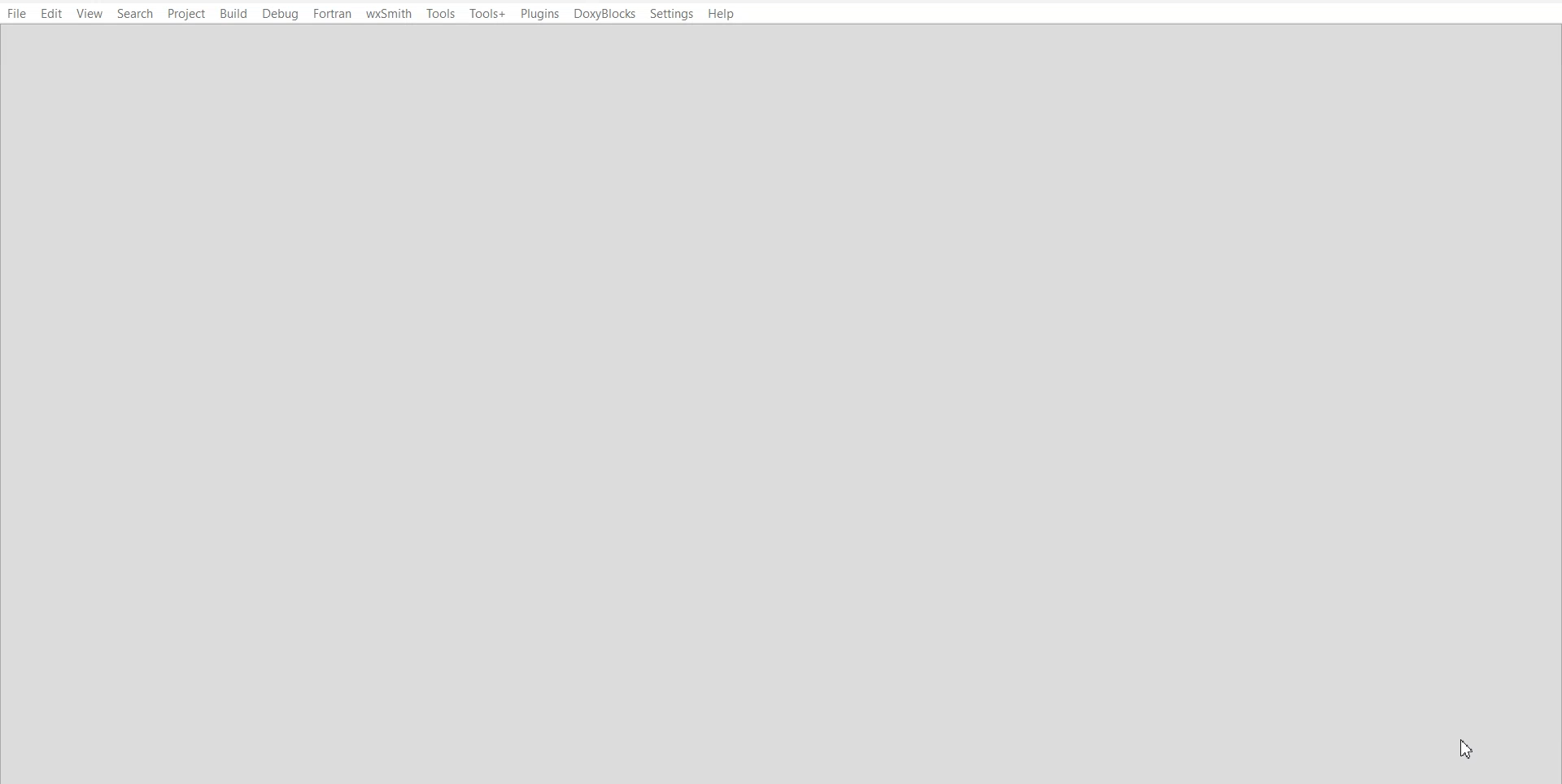 This screenshot has width=1562, height=784. What do you see at coordinates (604, 14) in the screenshot?
I see `DoxyBlocks` at bounding box center [604, 14].